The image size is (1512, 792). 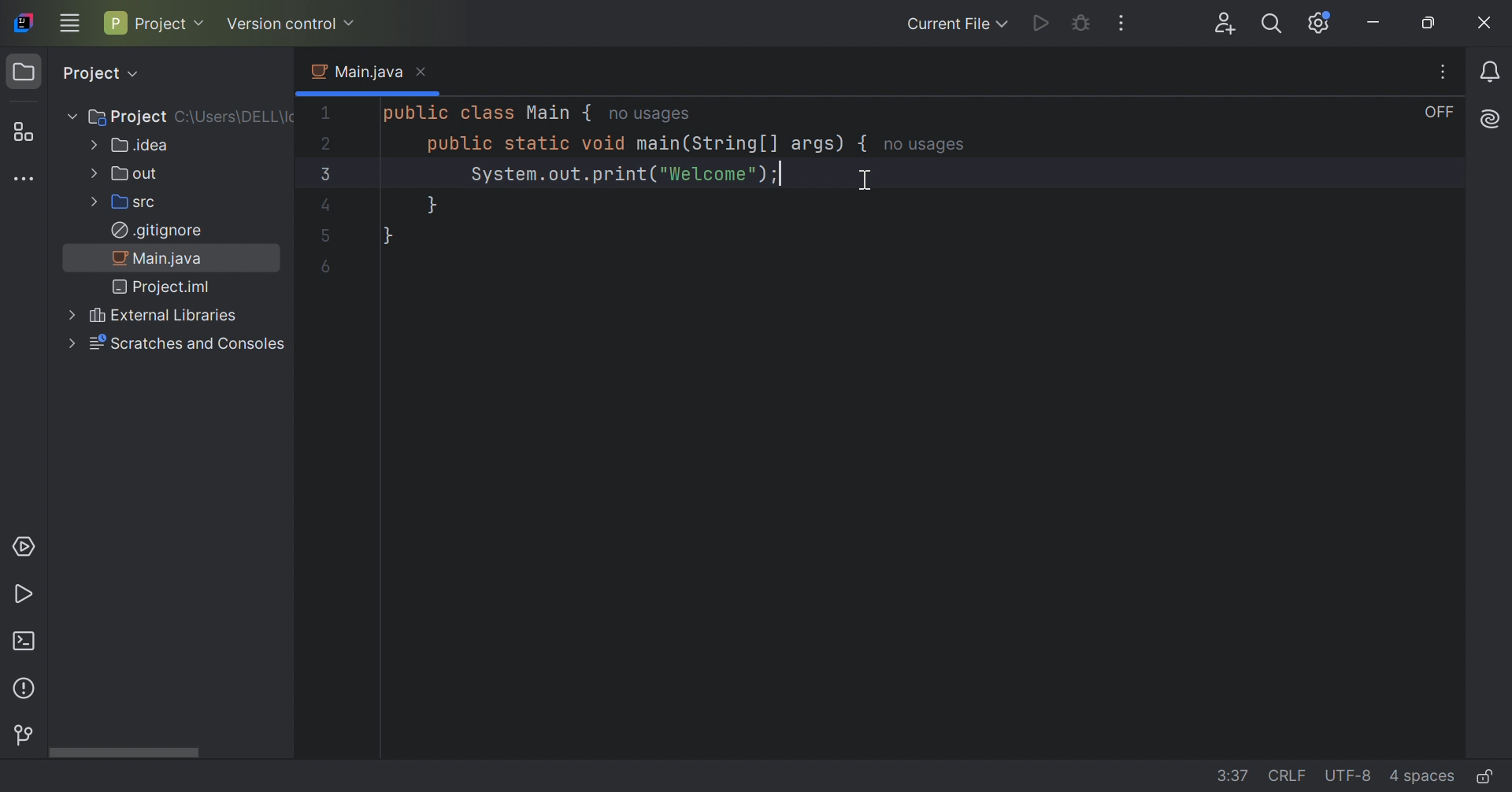 I want to click on System.out.print("Welcome");, so click(x=614, y=176).